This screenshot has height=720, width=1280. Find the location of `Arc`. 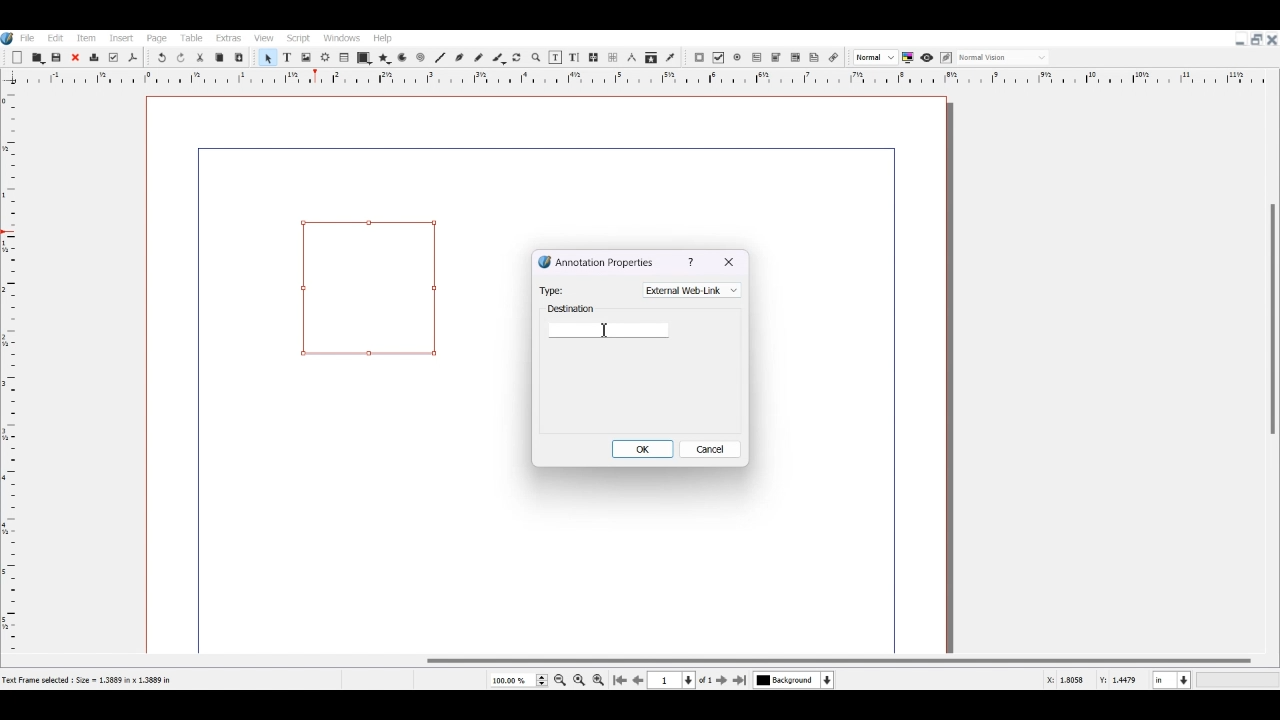

Arc is located at coordinates (402, 59).